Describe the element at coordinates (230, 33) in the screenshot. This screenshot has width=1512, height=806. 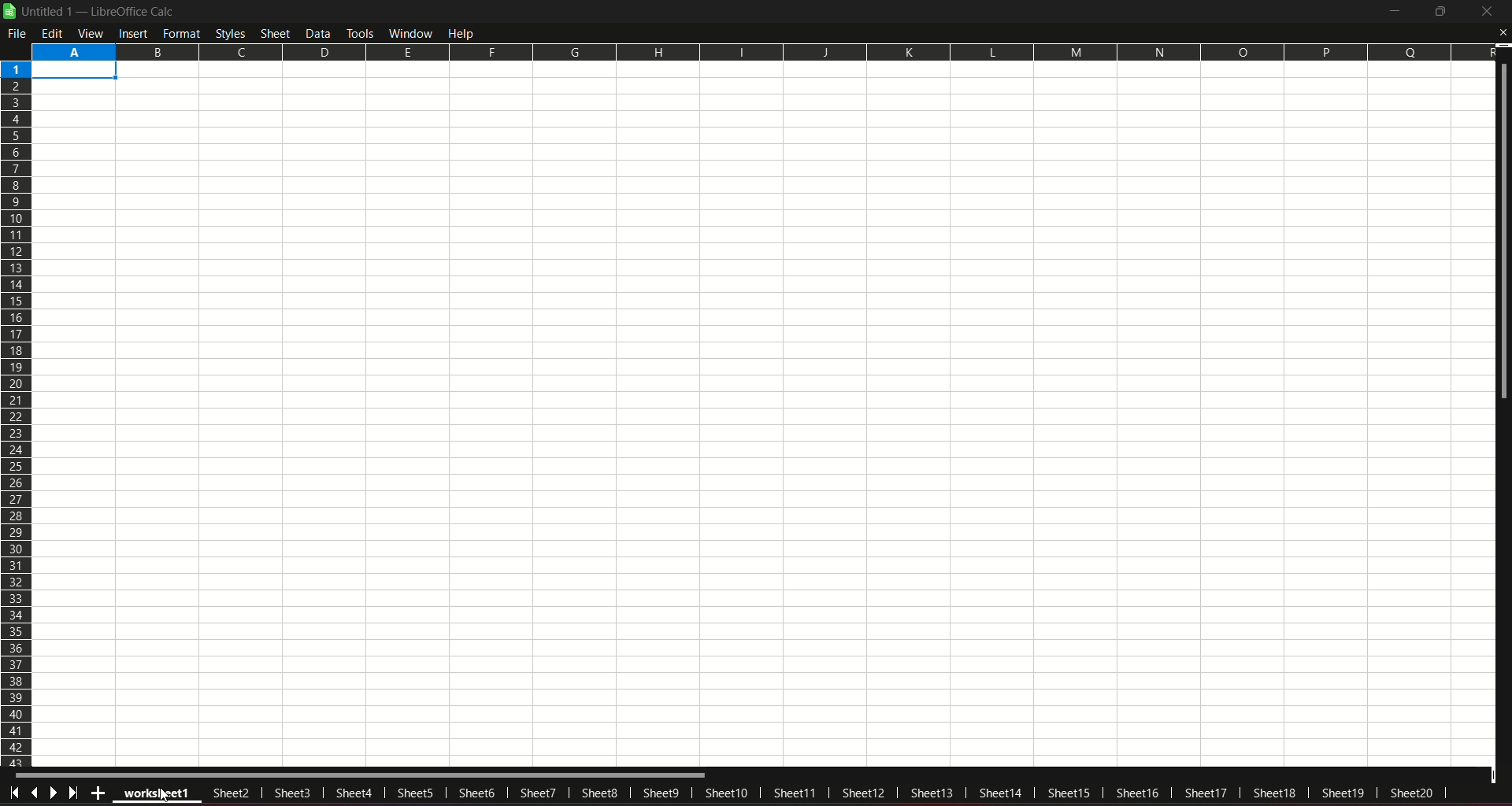
I see `Styles` at that location.